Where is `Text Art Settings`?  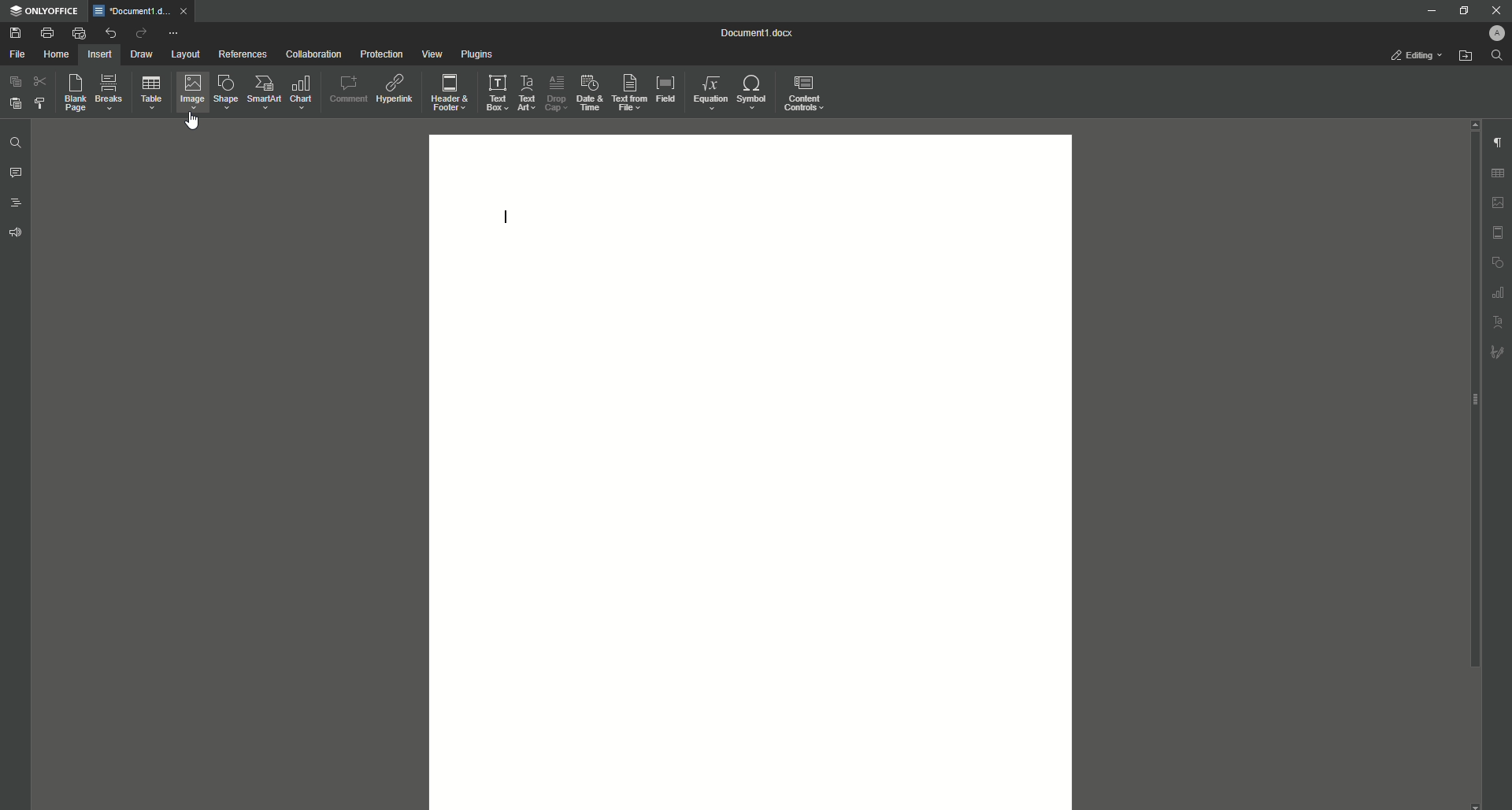
Text Art Settings is located at coordinates (1499, 323).